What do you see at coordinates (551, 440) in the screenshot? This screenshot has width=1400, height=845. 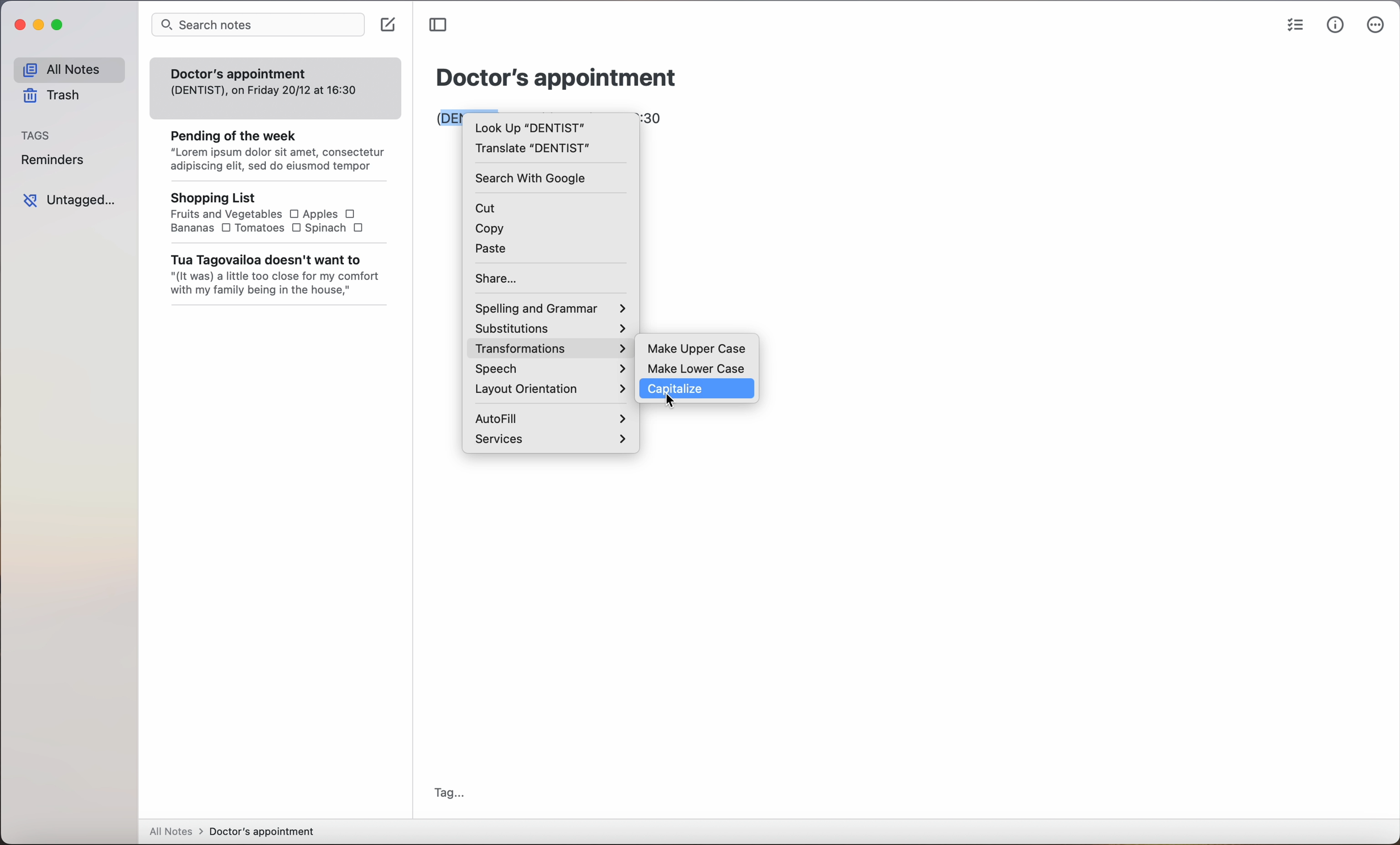 I see `services` at bounding box center [551, 440].